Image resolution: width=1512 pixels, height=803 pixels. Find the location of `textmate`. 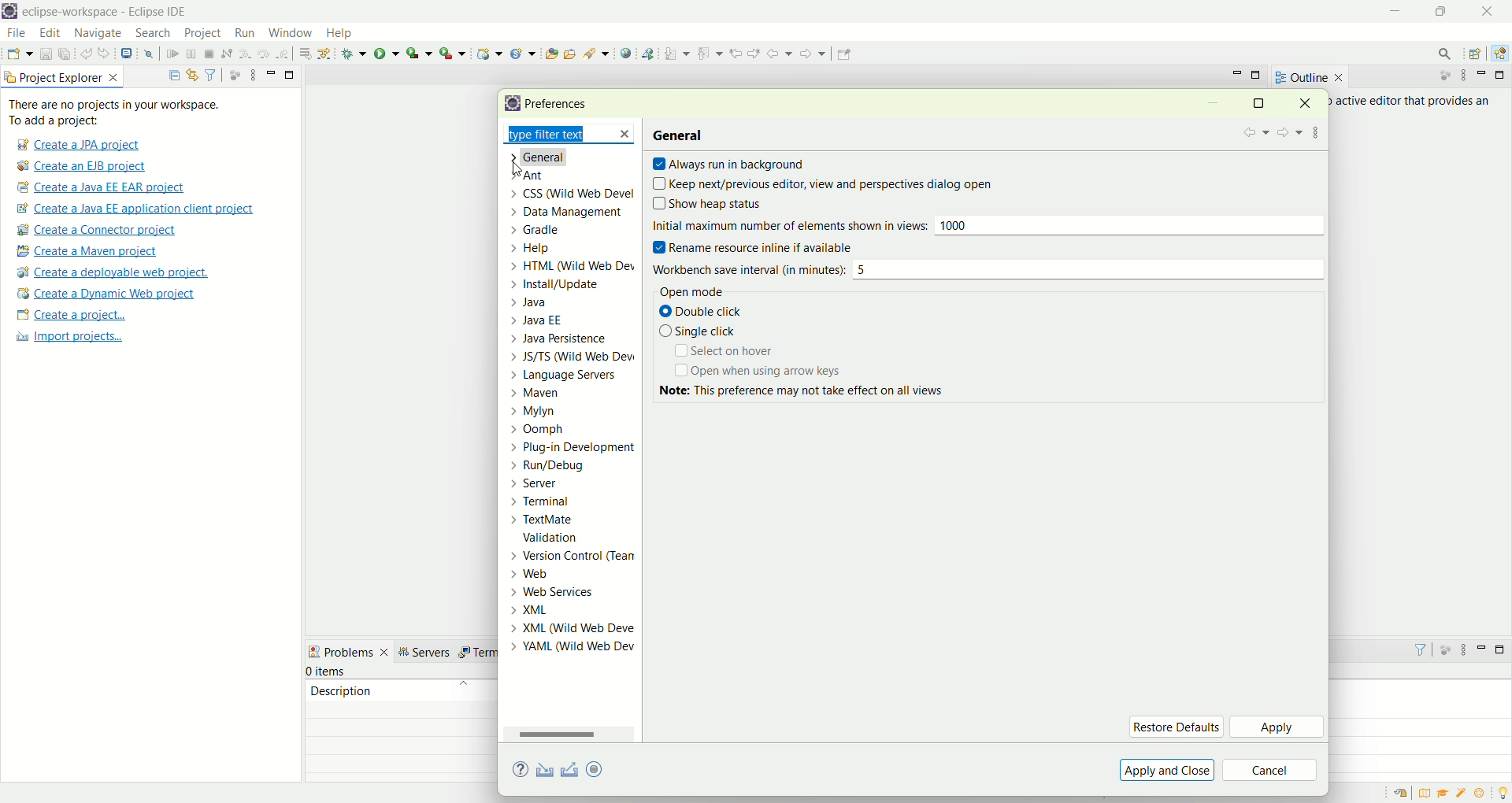

textmate is located at coordinates (575, 520).